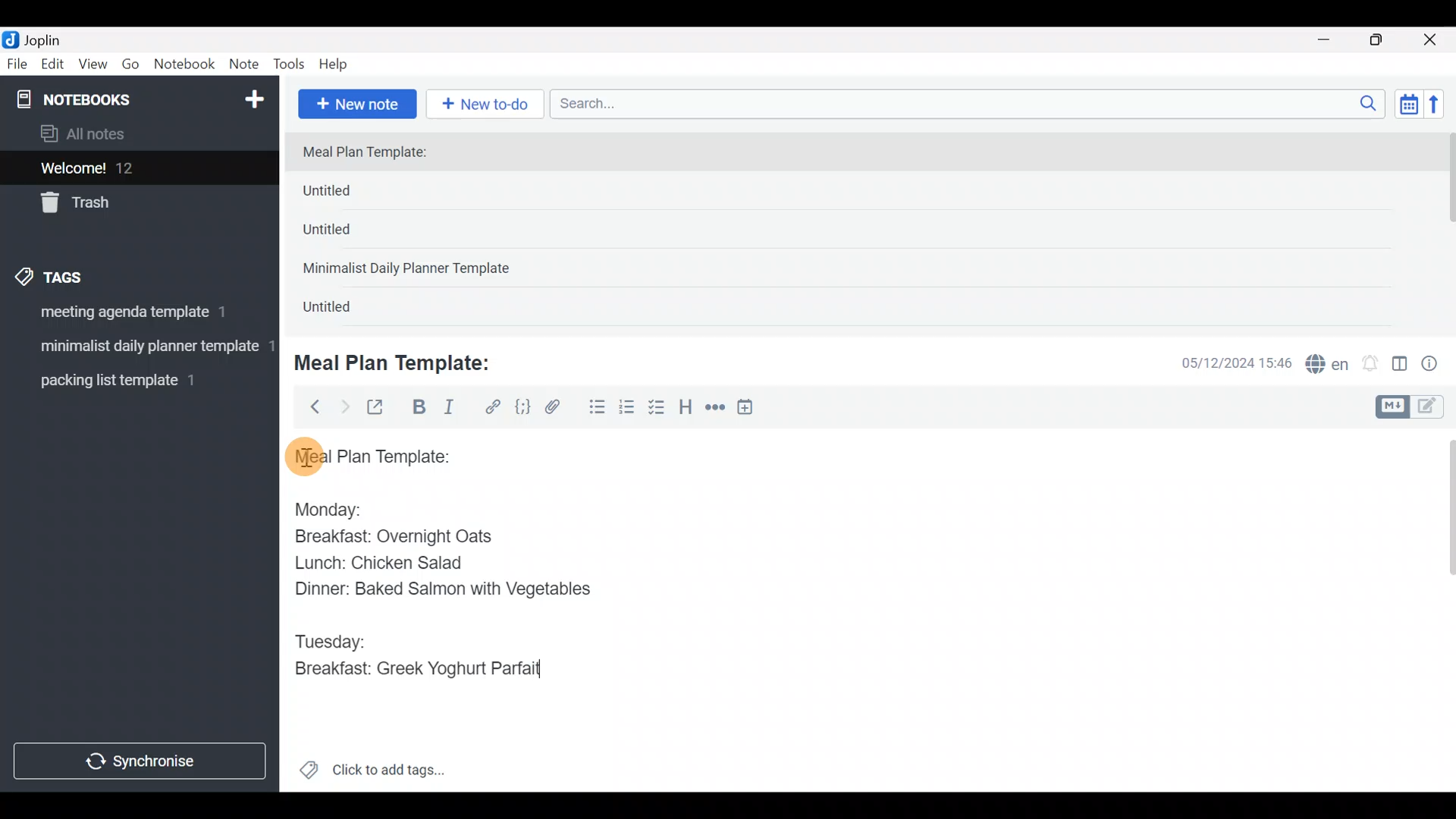 The height and width of the screenshot is (819, 1456). Describe the element at coordinates (347, 234) in the screenshot. I see `Untitled` at that location.